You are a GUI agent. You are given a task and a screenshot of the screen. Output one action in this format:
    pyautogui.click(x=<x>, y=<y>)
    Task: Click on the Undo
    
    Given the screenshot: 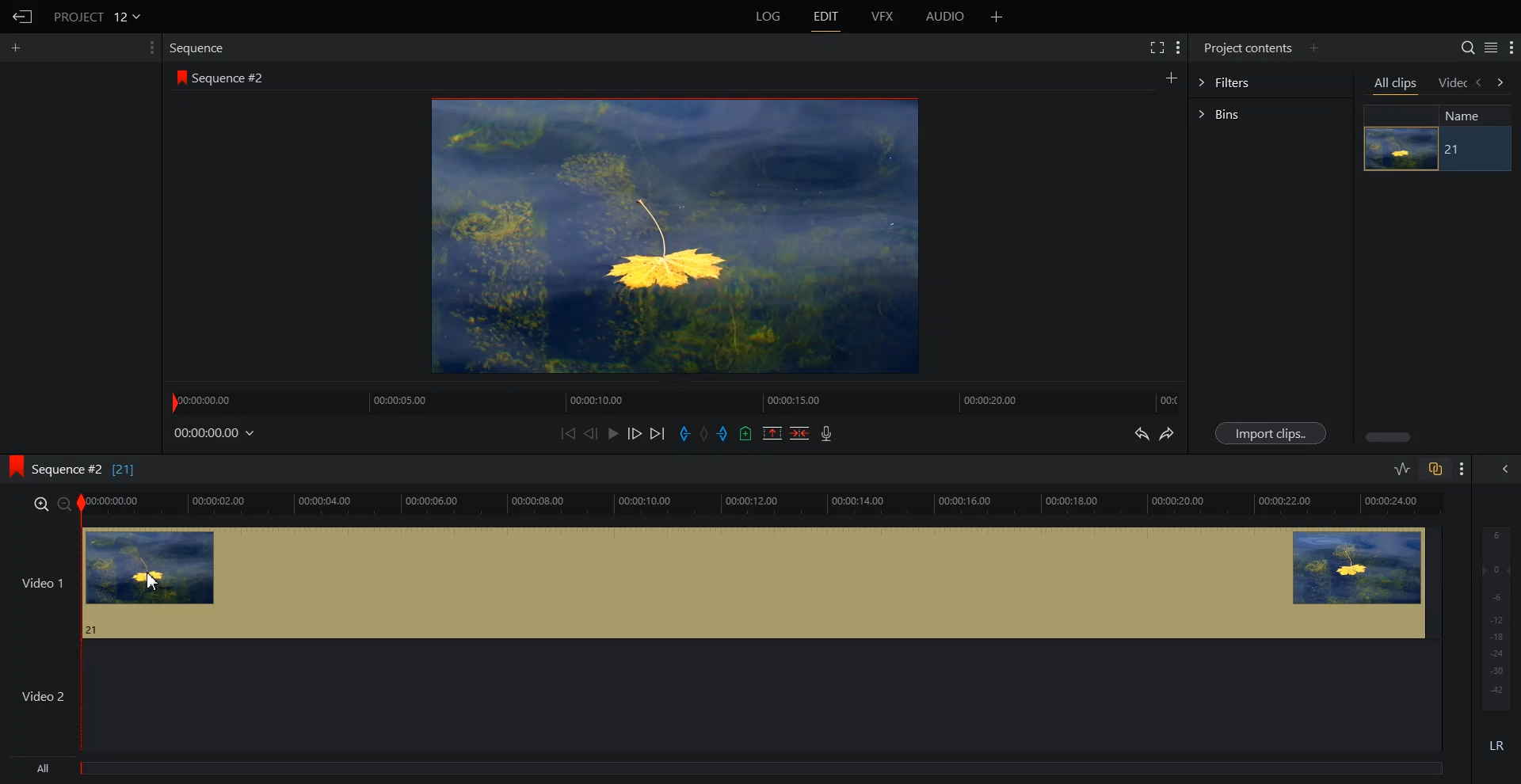 What is the action you would take?
    pyautogui.click(x=1142, y=433)
    